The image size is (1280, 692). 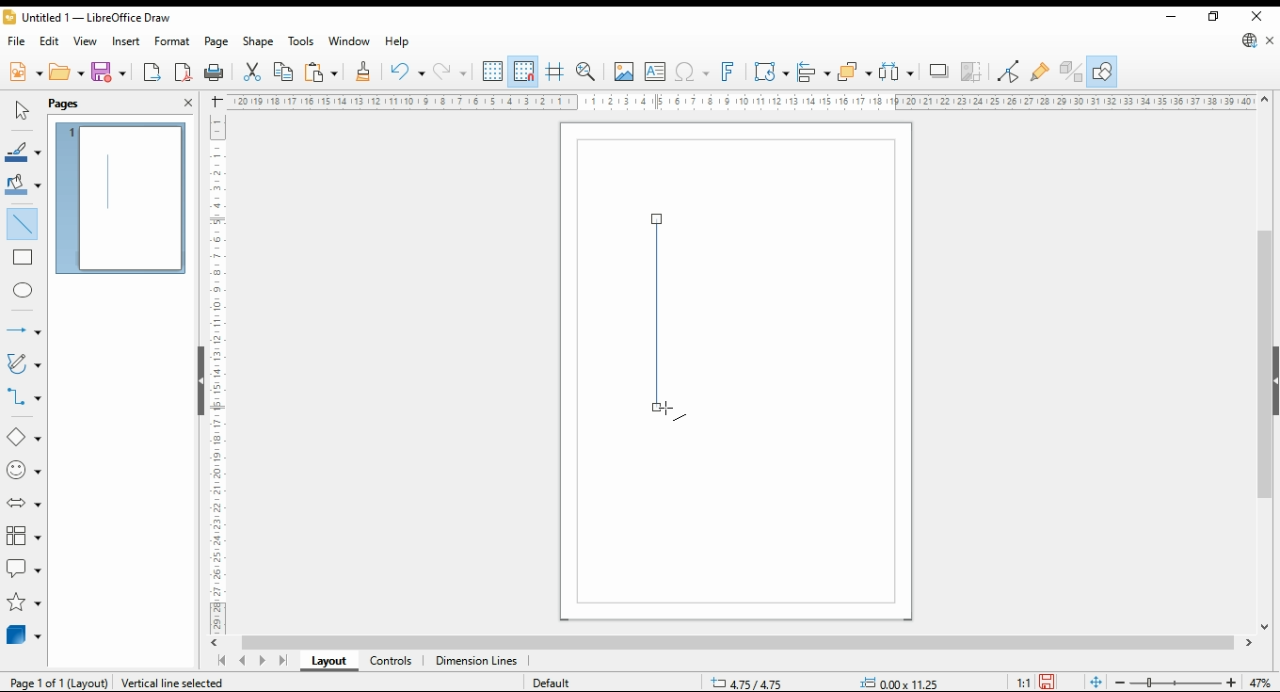 What do you see at coordinates (1010, 71) in the screenshot?
I see `toggle point edit mode` at bounding box center [1010, 71].